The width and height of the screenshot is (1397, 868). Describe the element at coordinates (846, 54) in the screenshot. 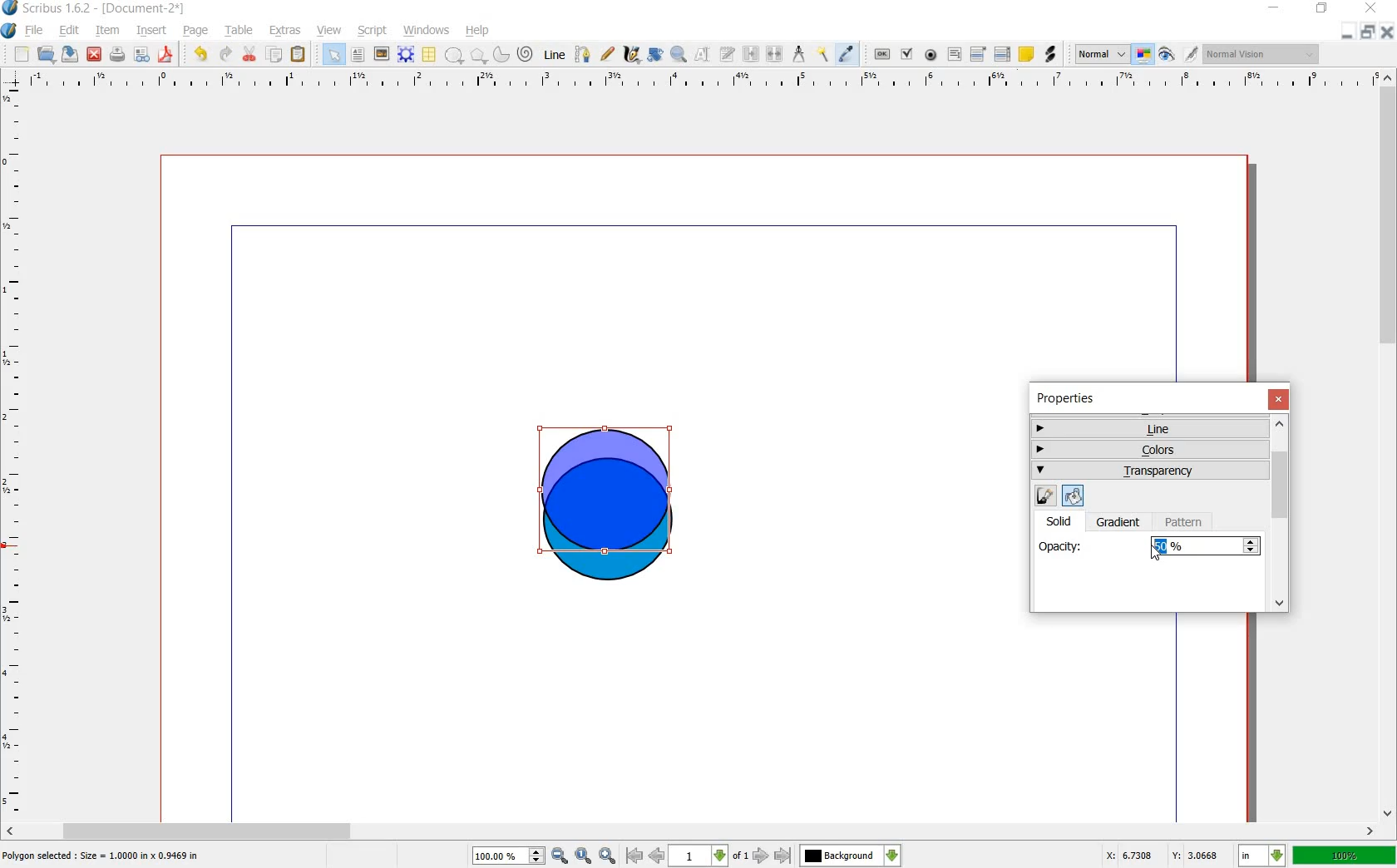

I see `eye dropper` at that location.